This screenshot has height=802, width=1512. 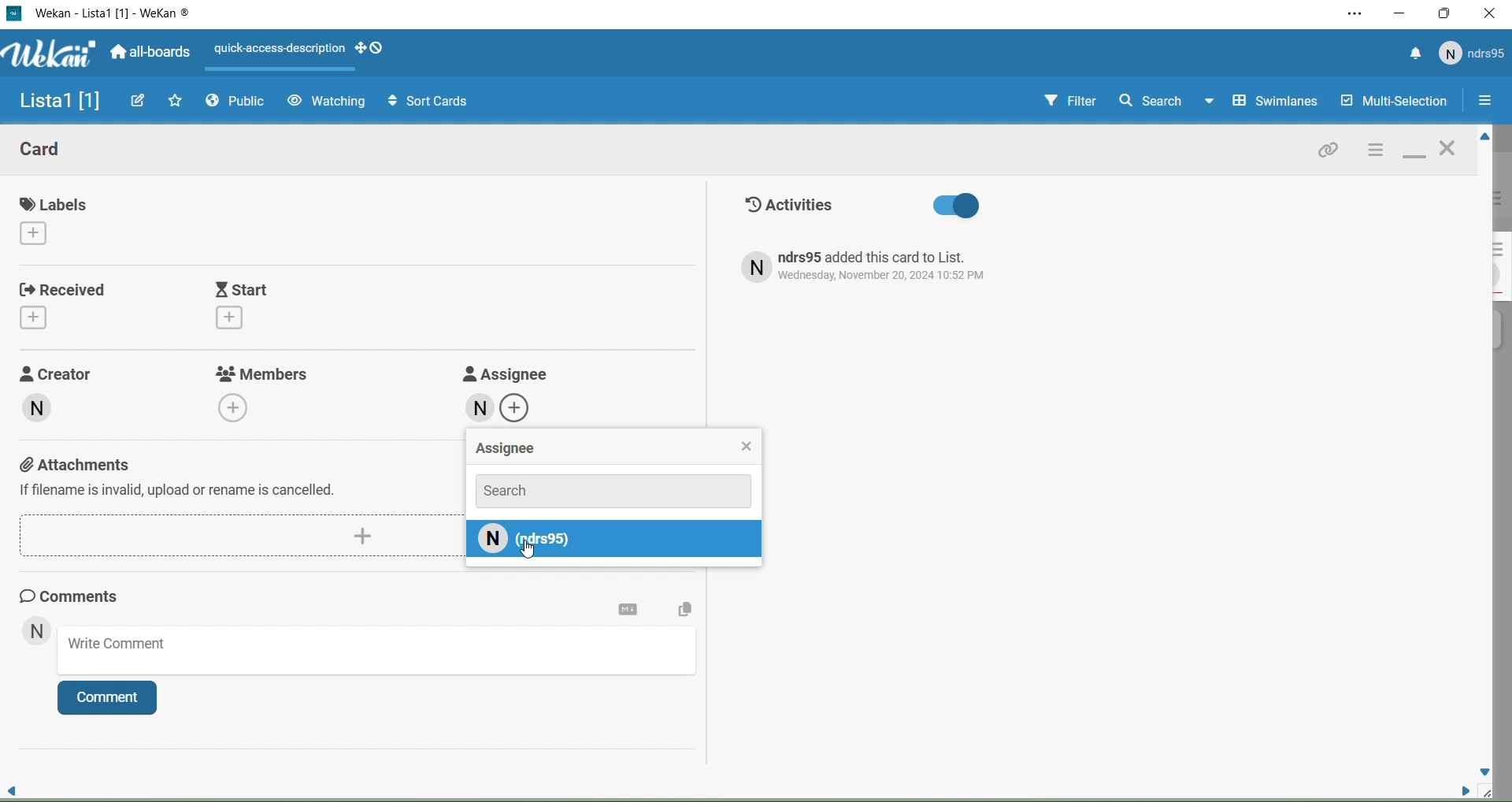 What do you see at coordinates (280, 51) in the screenshot?
I see `Layout Actions` at bounding box center [280, 51].